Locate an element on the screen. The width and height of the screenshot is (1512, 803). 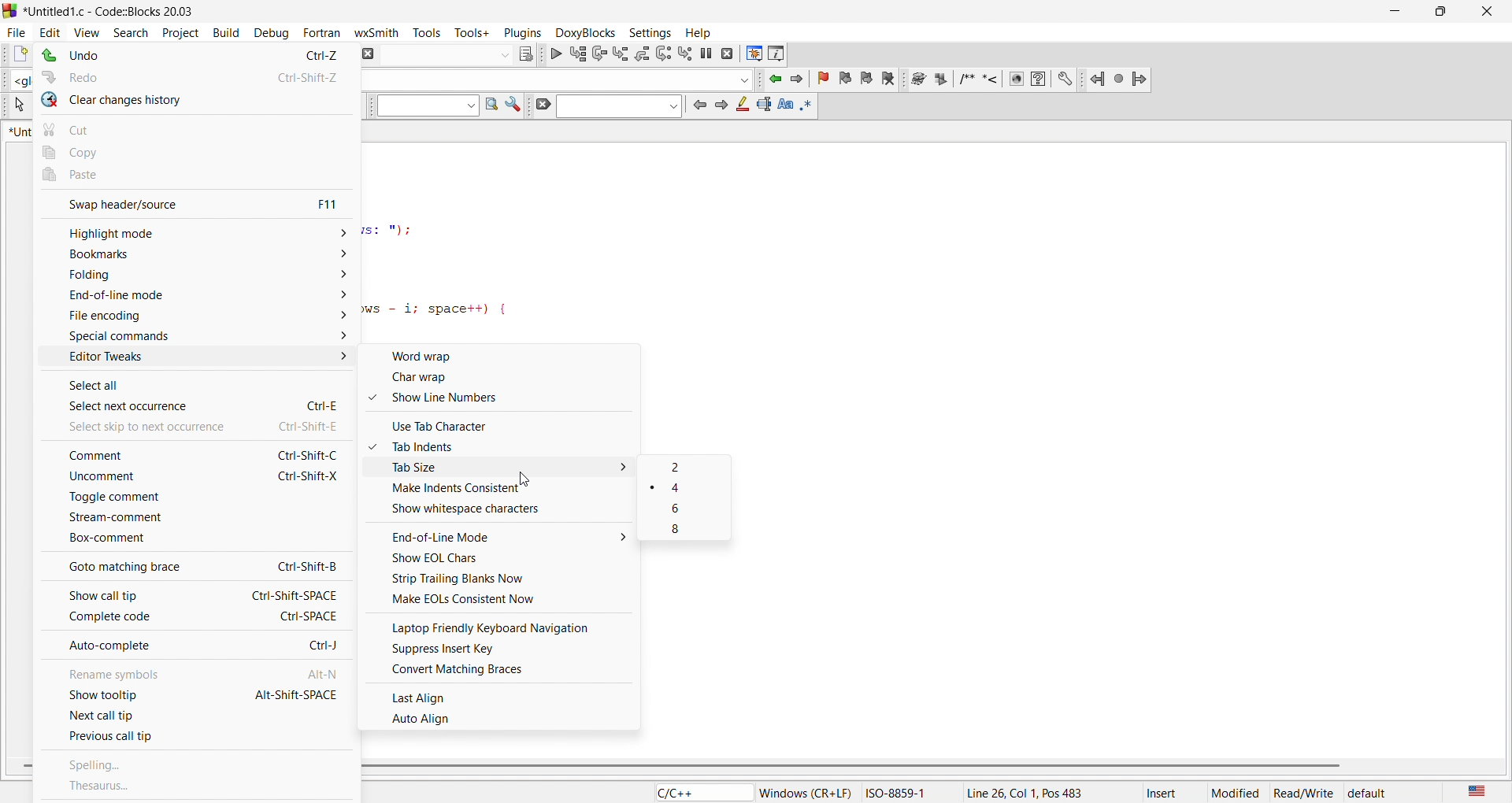
default is located at coordinates (1386, 790).